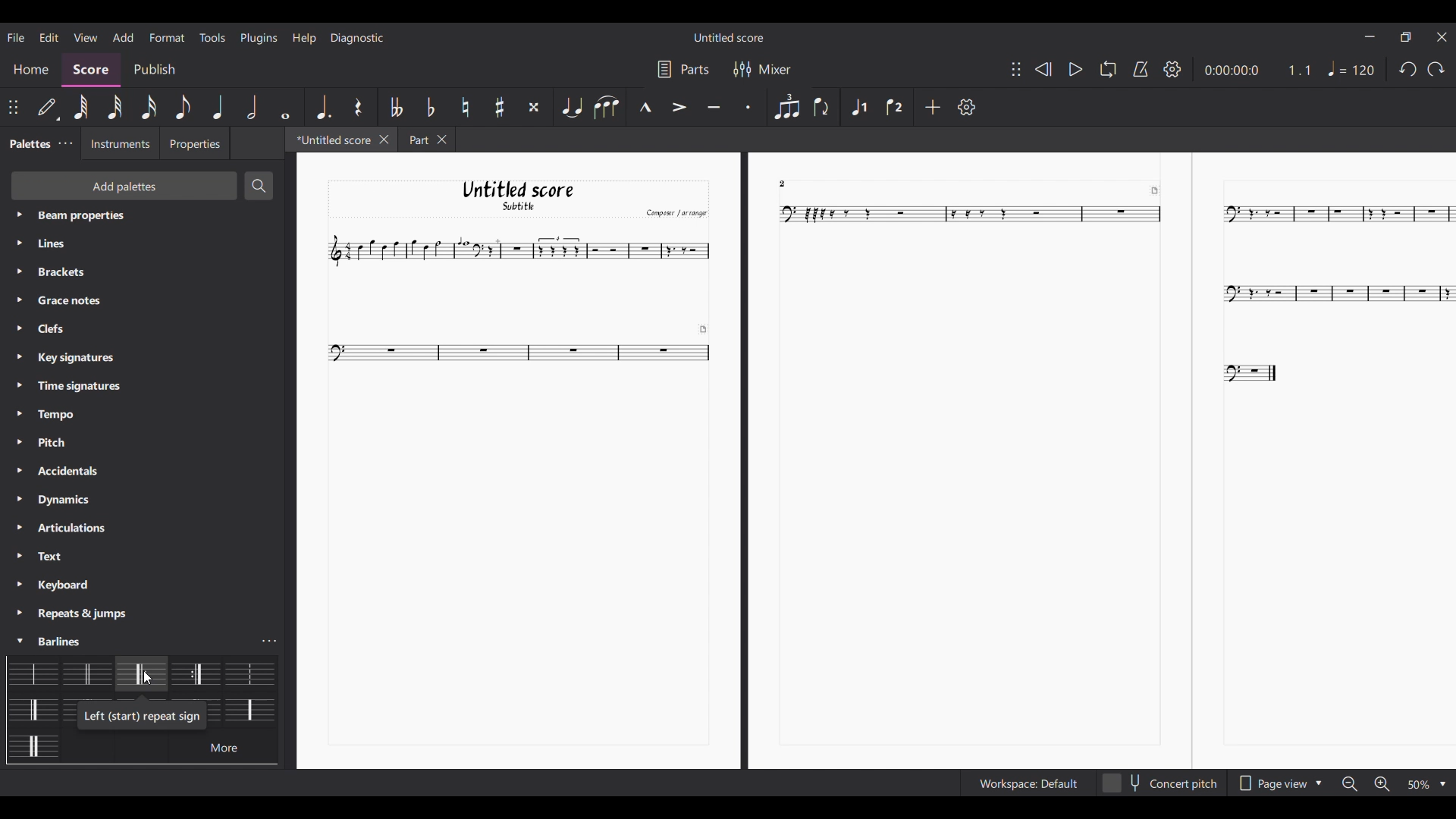  Describe the element at coordinates (1043, 70) in the screenshot. I see `Rewind` at that location.